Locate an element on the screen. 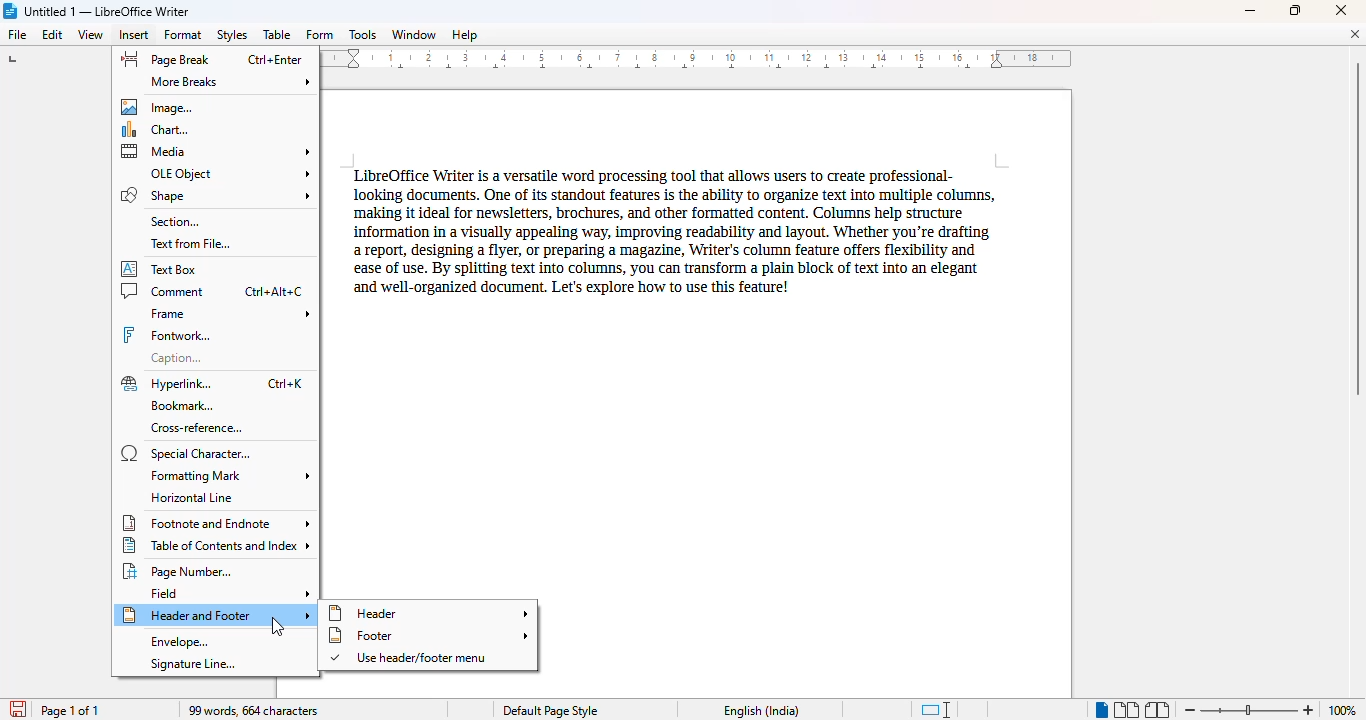  use header/footer menu is located at coordinates (410, 658).